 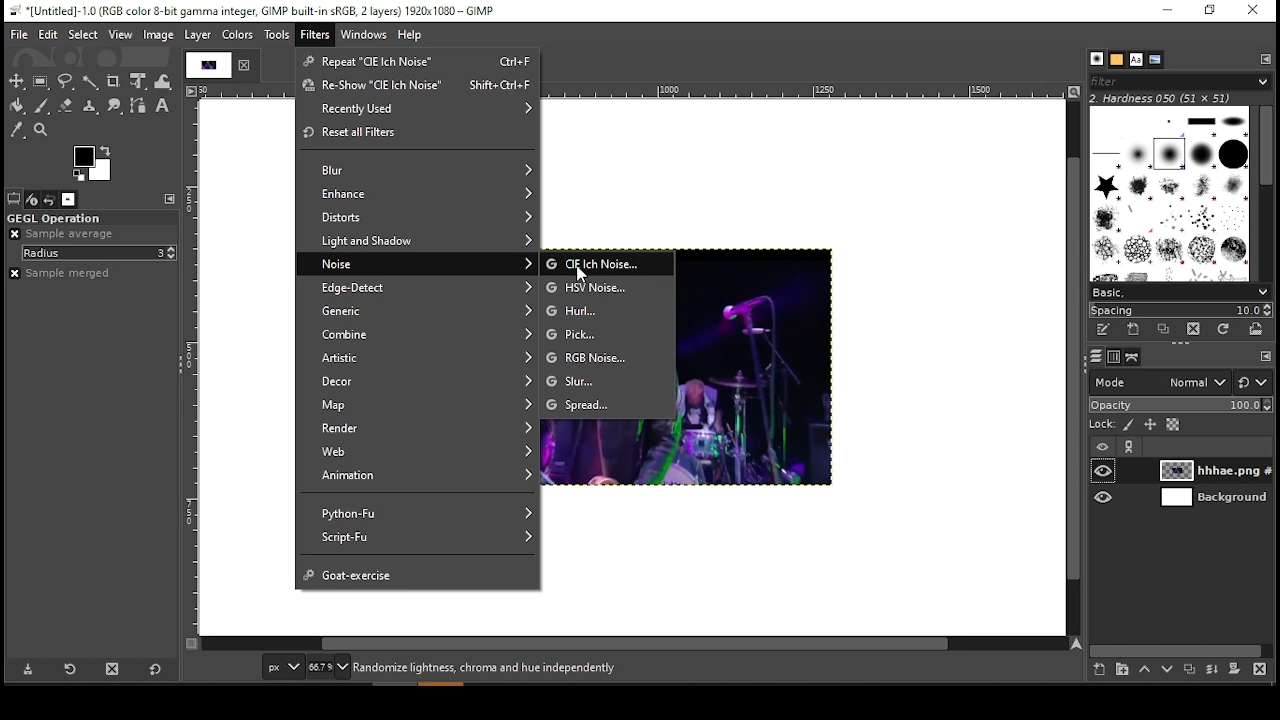 What do you see at coordinates (1136, 59) in the screenshot?
I see `fonts` at bounding box center [1136, 59].